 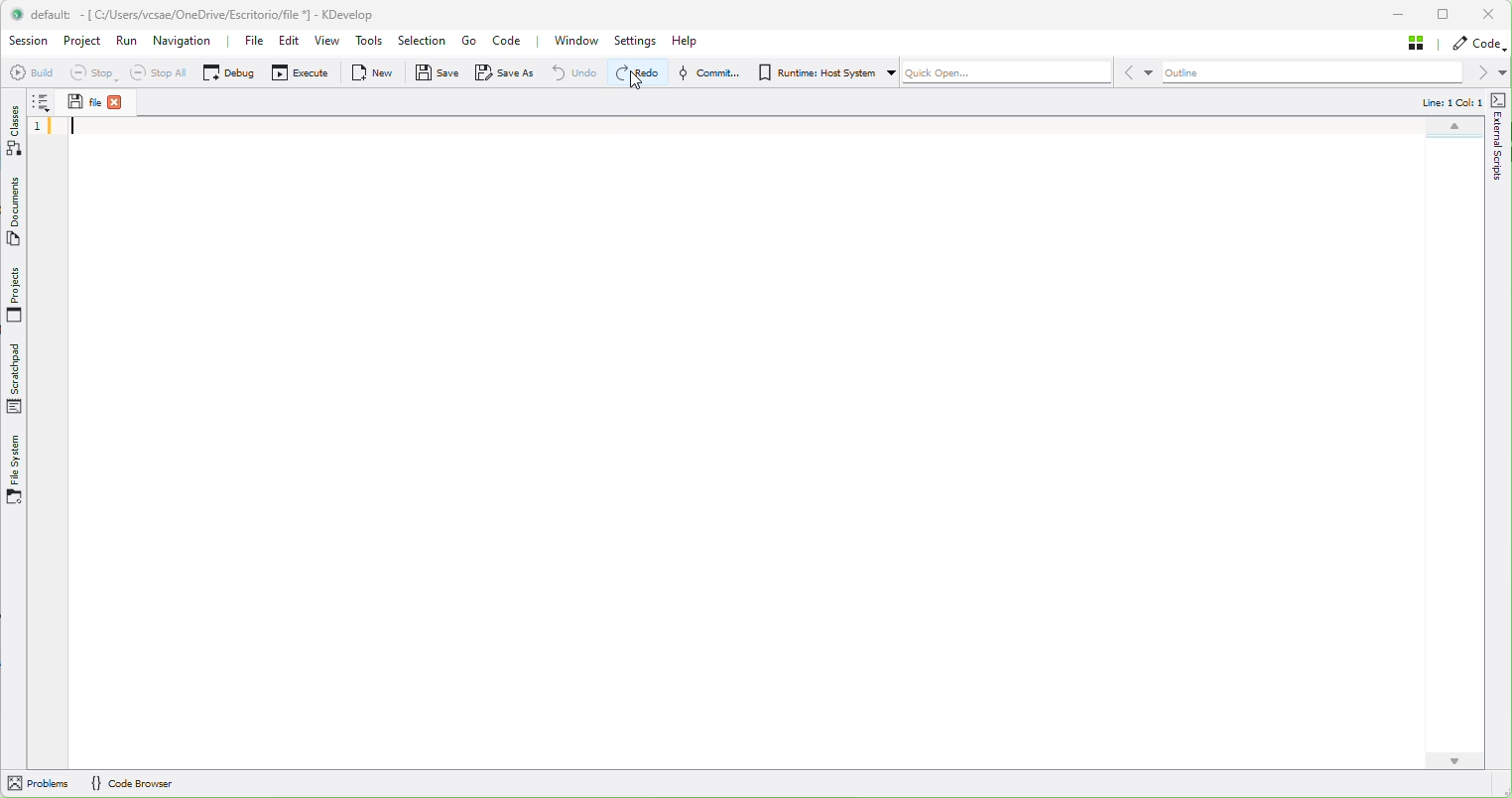 What do you see at coordinates (1445, 131) in the screenshot?
I see `Map` at bounding box center [1445, 131].